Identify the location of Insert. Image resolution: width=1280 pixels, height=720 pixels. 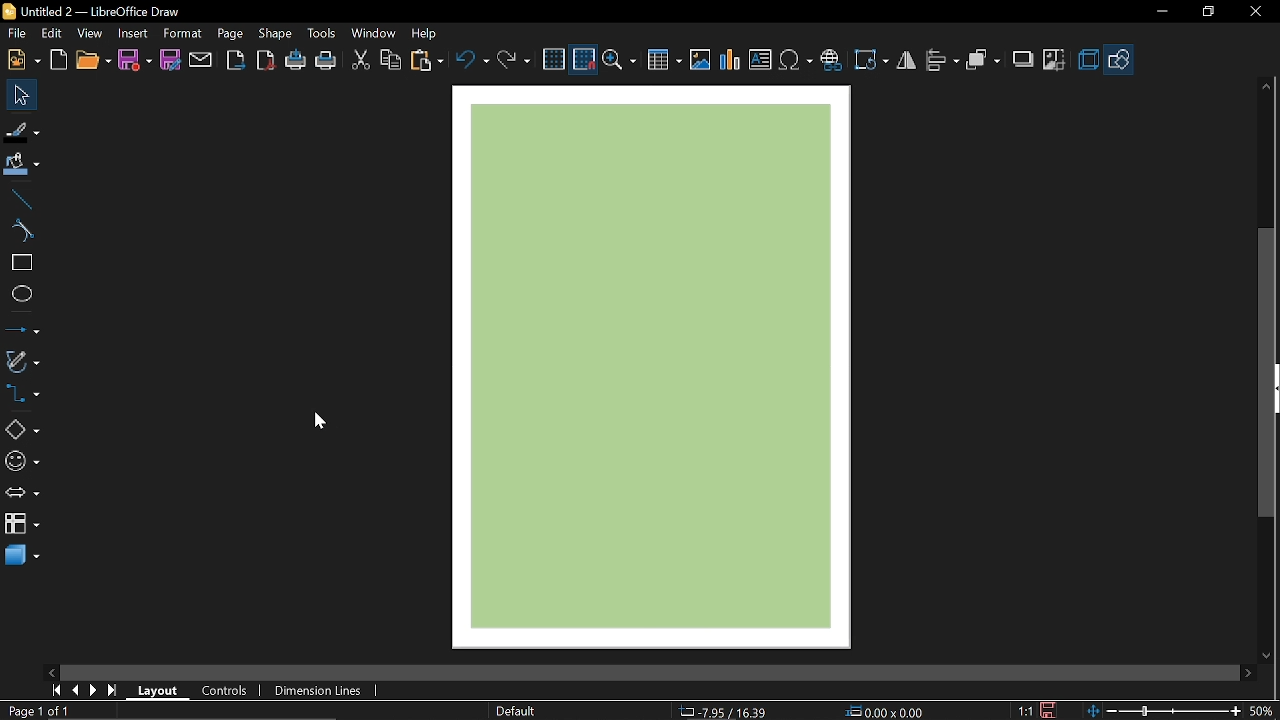
(134, 34).